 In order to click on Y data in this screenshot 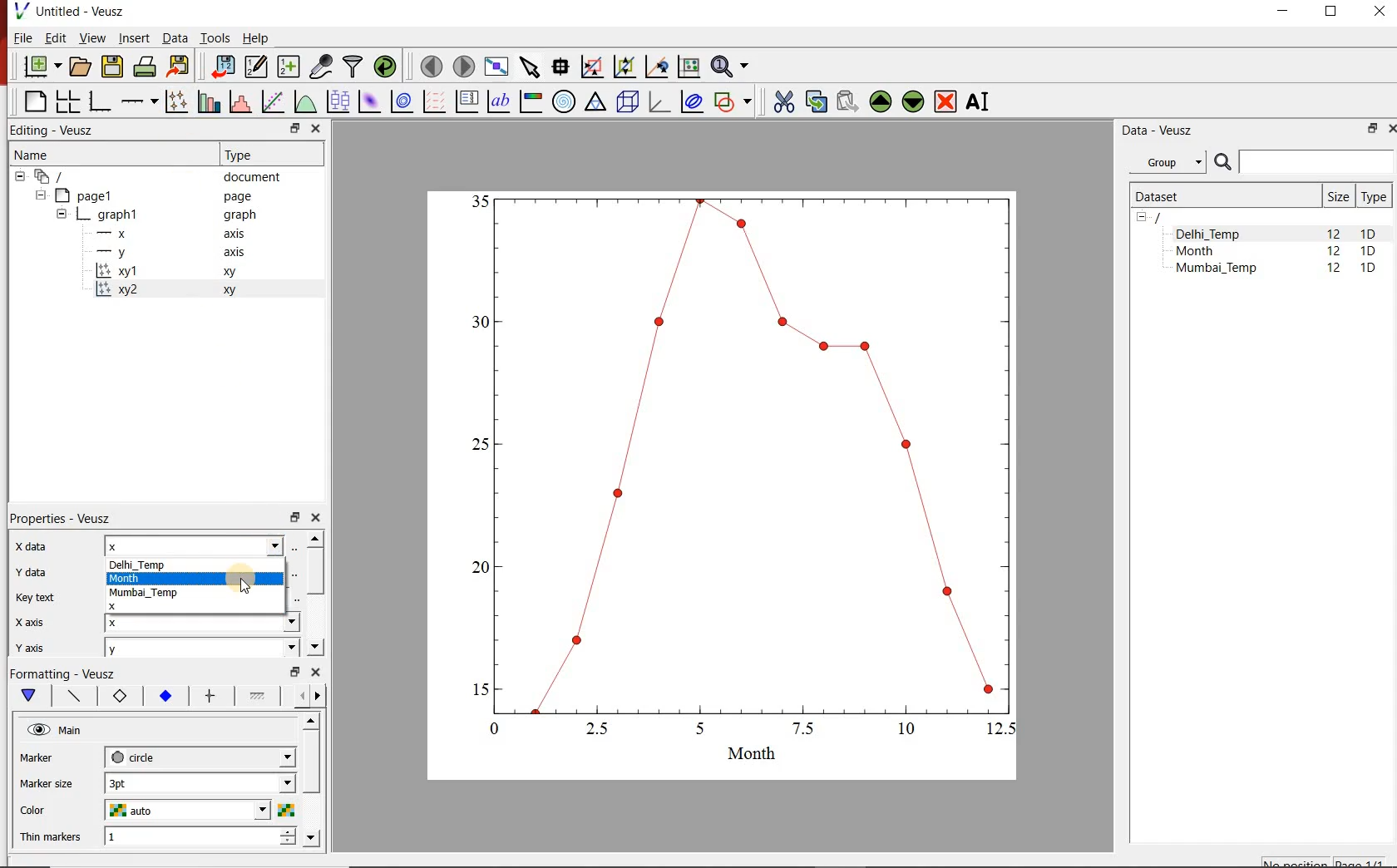, I will do `click(29, 571)`.